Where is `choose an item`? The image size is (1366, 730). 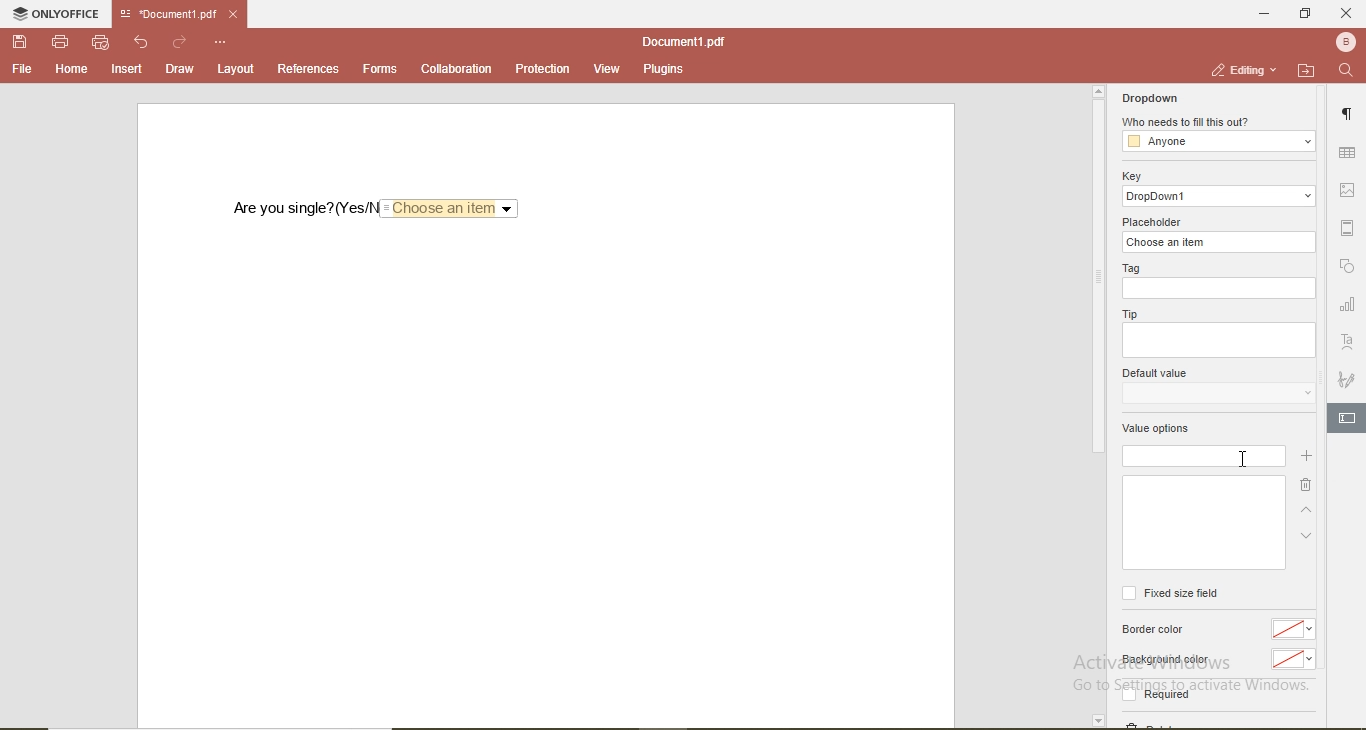 choose an item is located at coordinates (1216, 243).